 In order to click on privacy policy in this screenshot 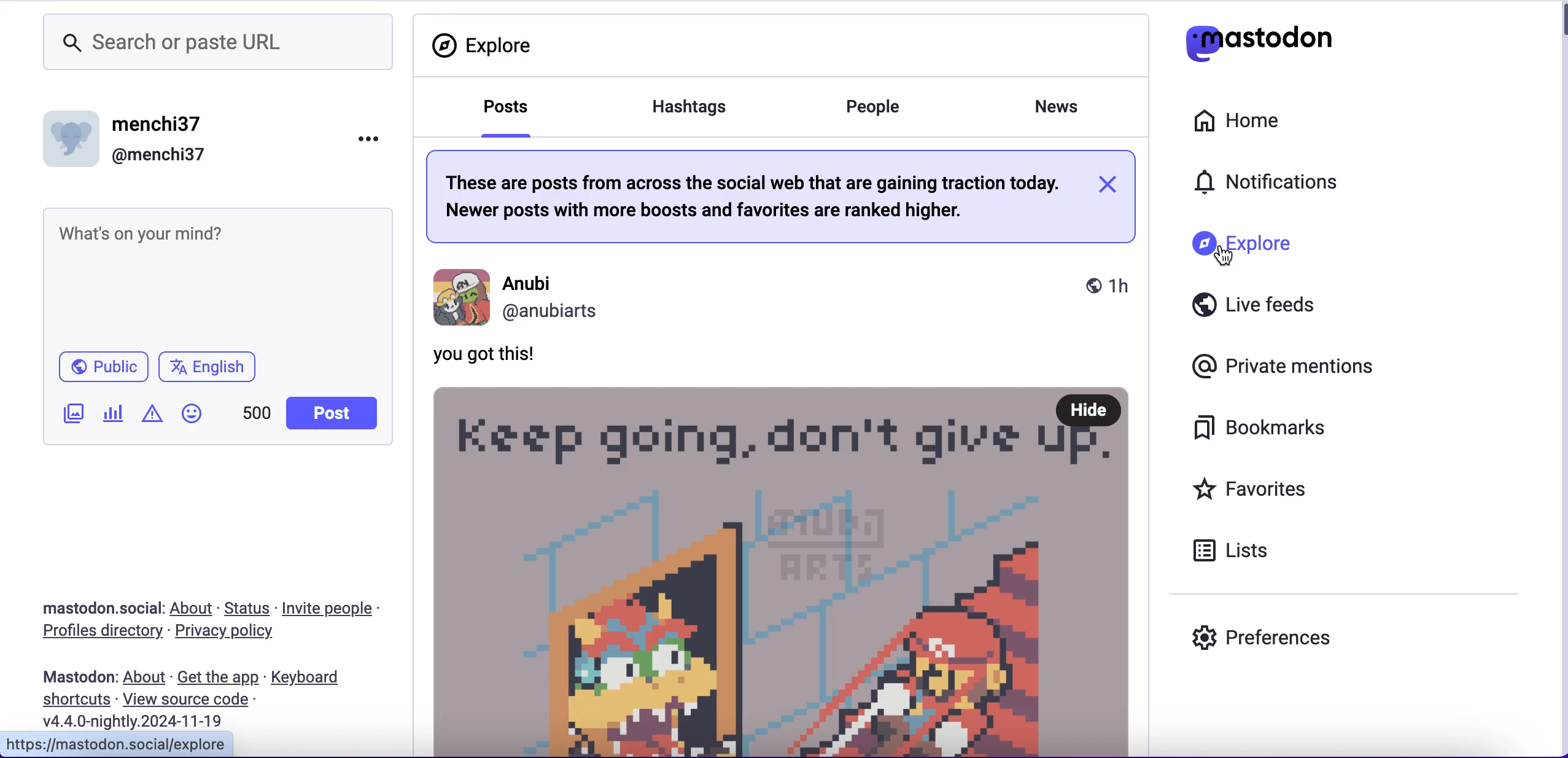, I will do `click(235, 631)`.